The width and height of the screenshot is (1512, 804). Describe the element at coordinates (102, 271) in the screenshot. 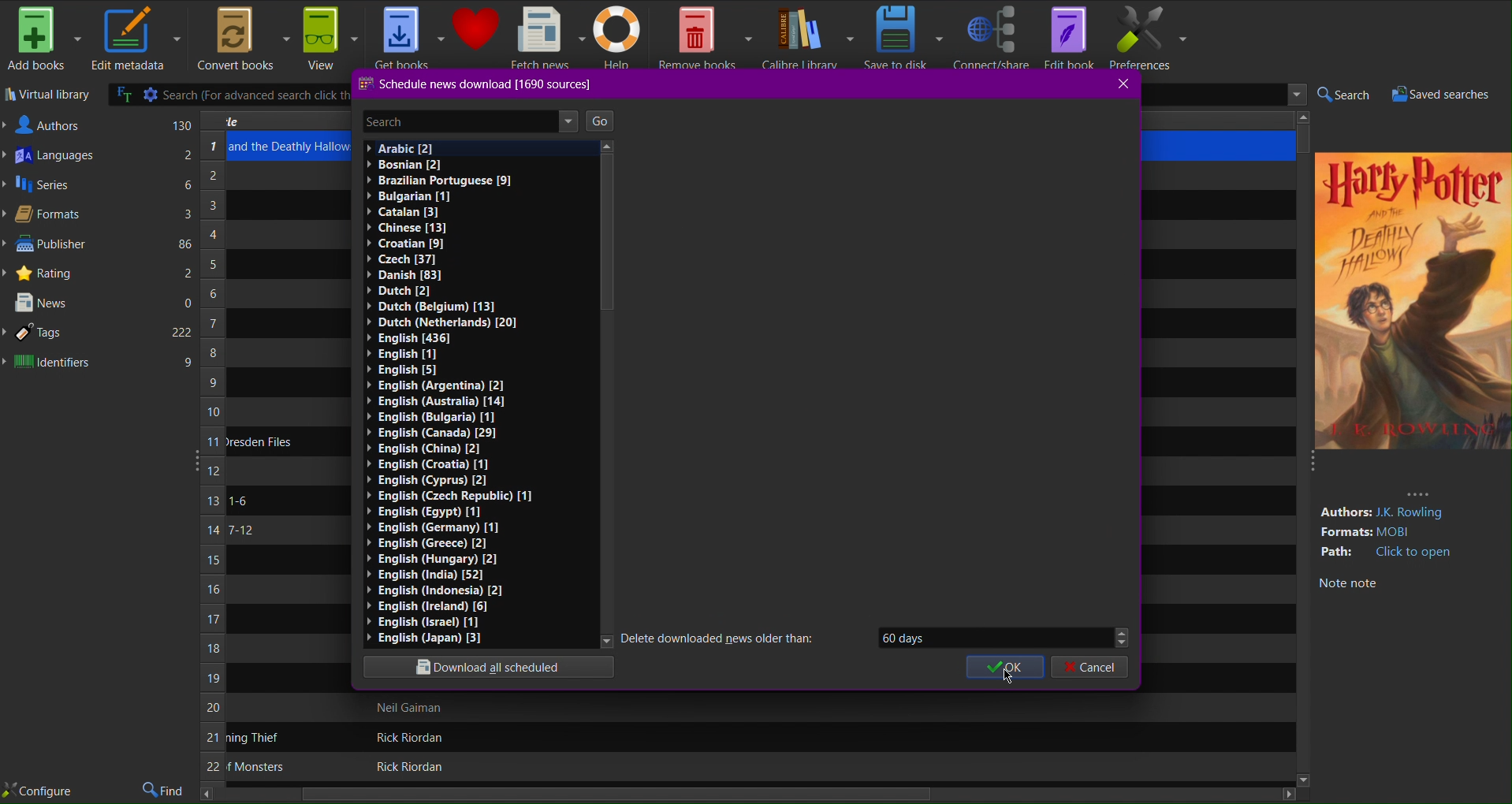

I see `Rating` at that location.